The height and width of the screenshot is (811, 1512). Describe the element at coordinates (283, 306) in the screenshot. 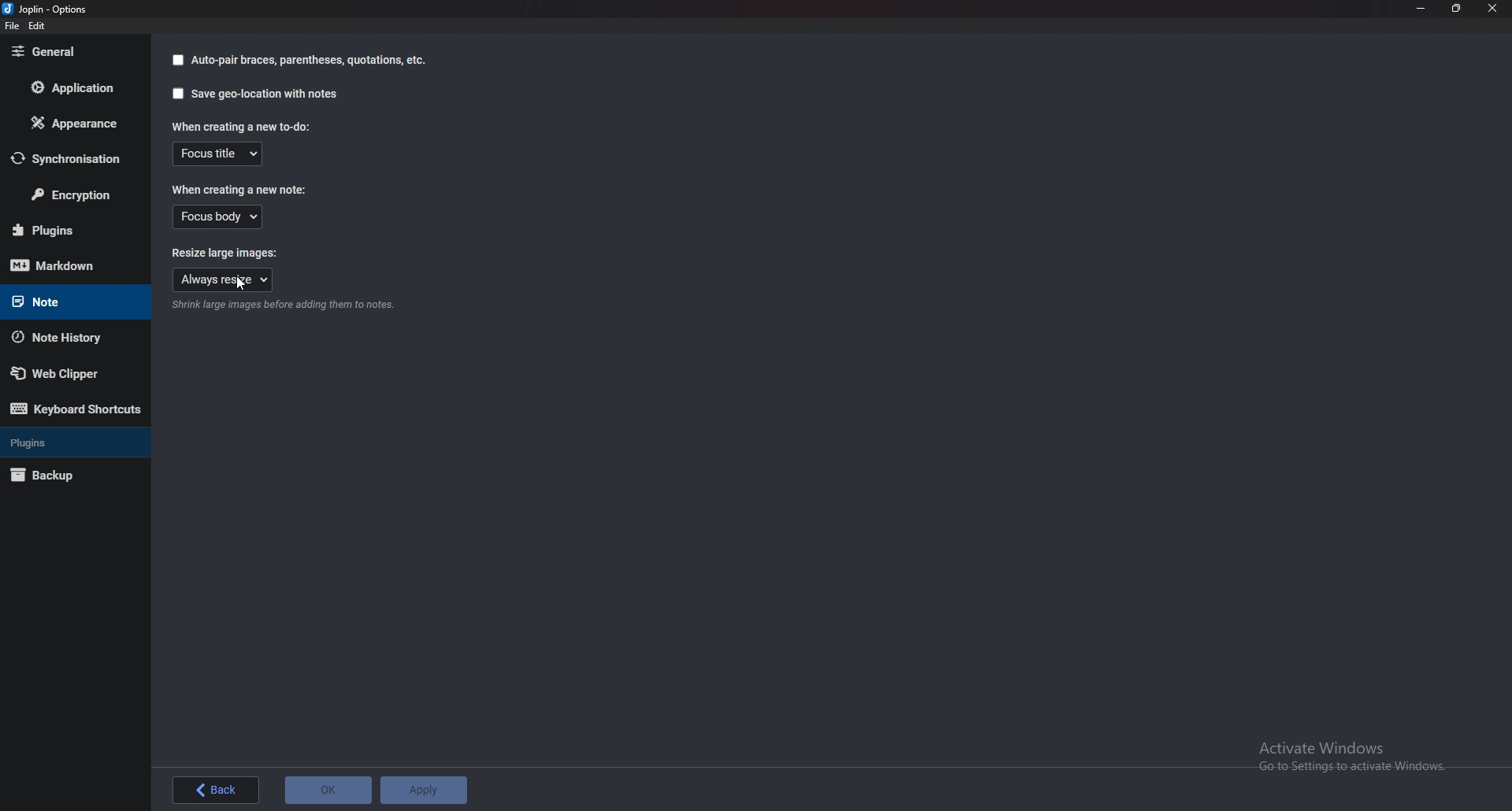

I see `Info` at that location.